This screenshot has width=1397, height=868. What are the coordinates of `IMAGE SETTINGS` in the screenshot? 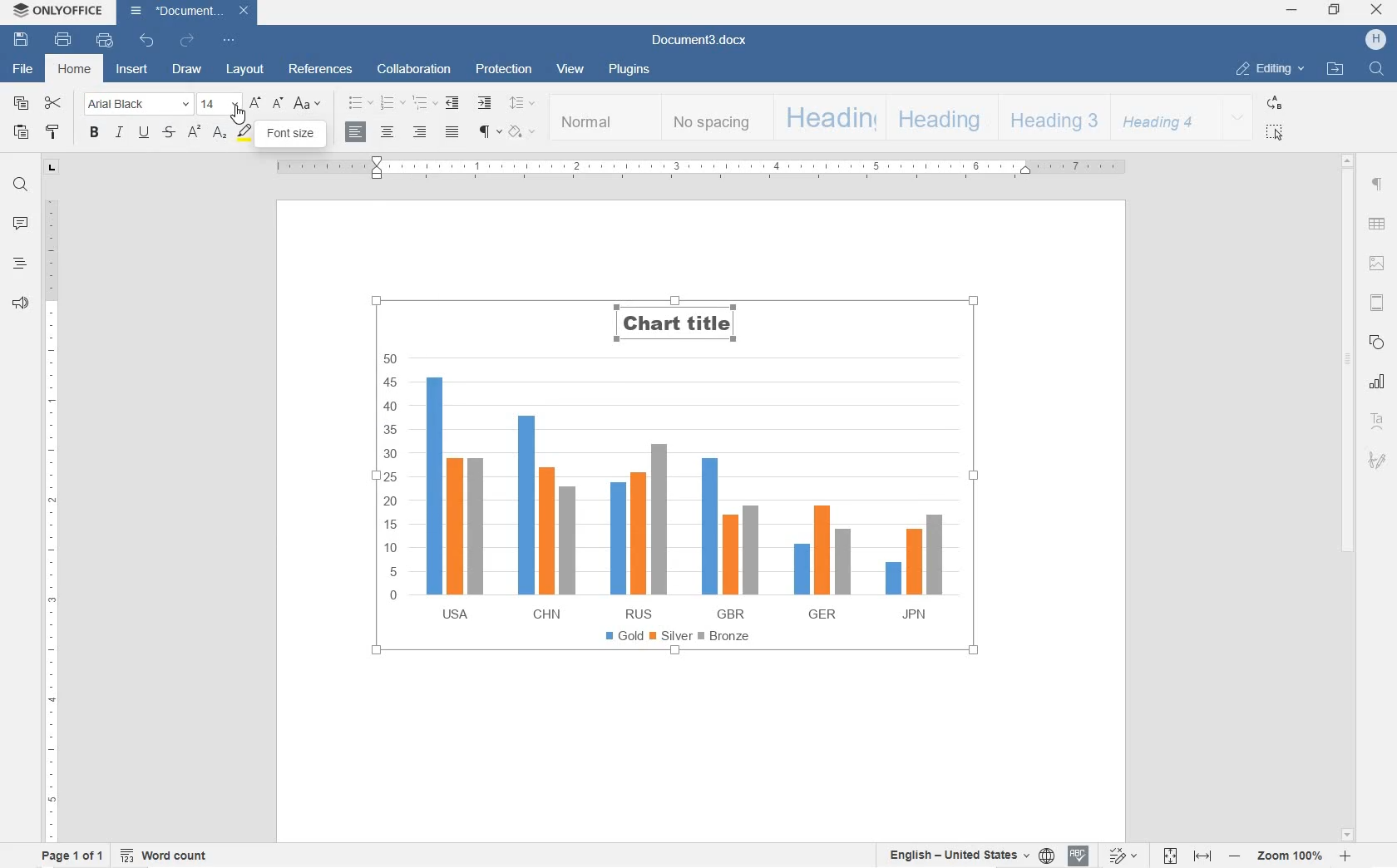 It's located at (1377, 262).